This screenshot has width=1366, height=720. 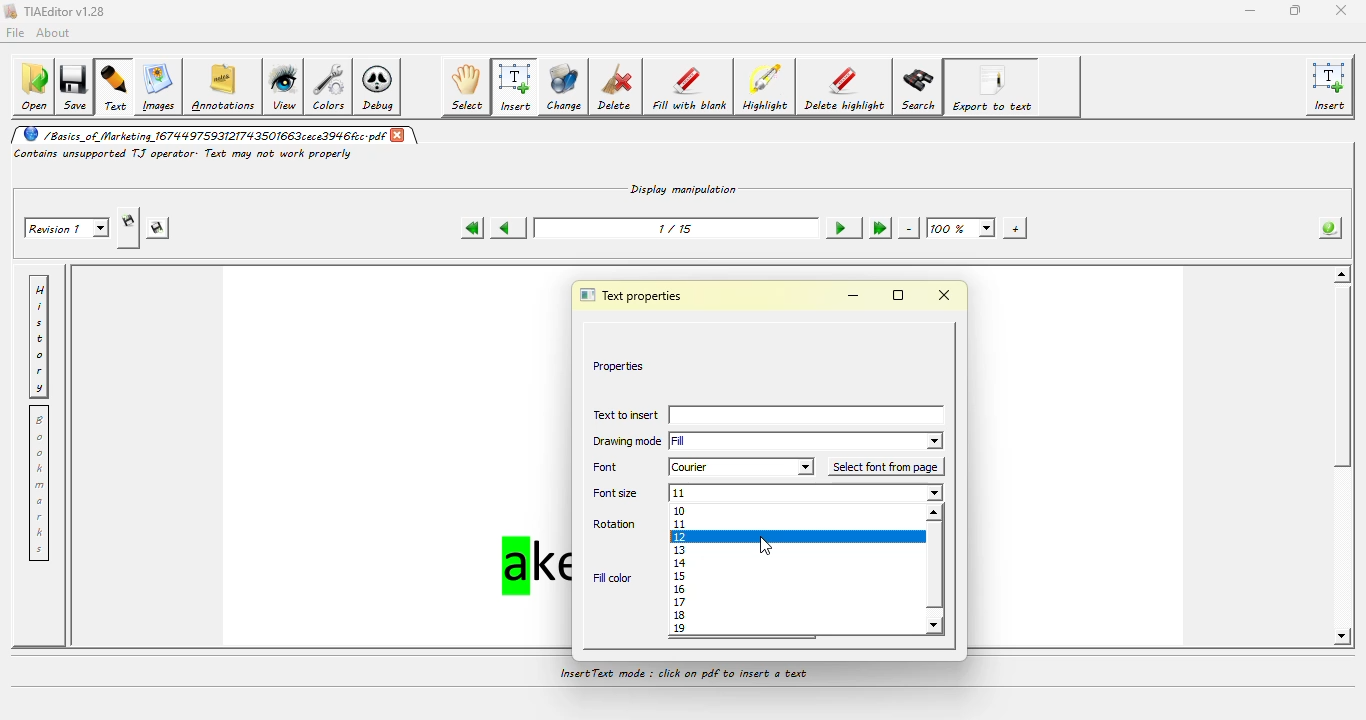 I want to click on Fill, so click(x=808, y=440).